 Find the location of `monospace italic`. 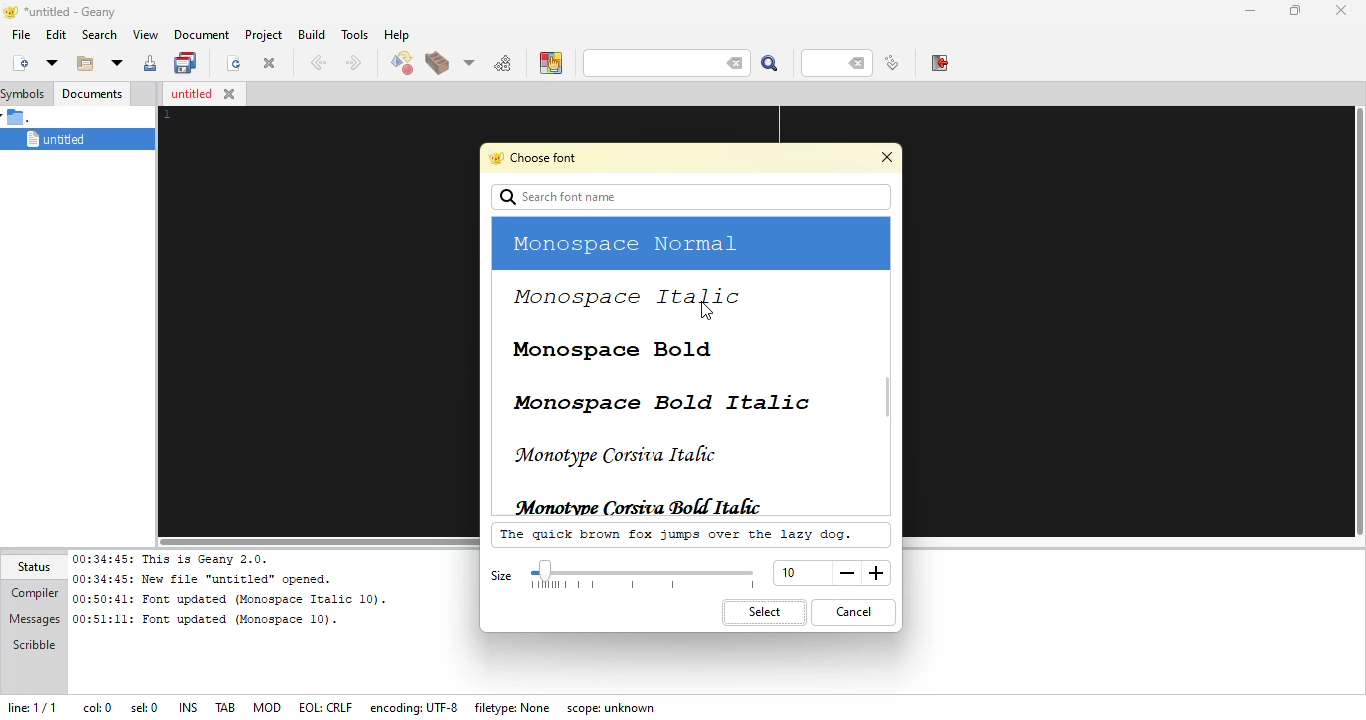

monospace italic is located at coordinates (626, 297).